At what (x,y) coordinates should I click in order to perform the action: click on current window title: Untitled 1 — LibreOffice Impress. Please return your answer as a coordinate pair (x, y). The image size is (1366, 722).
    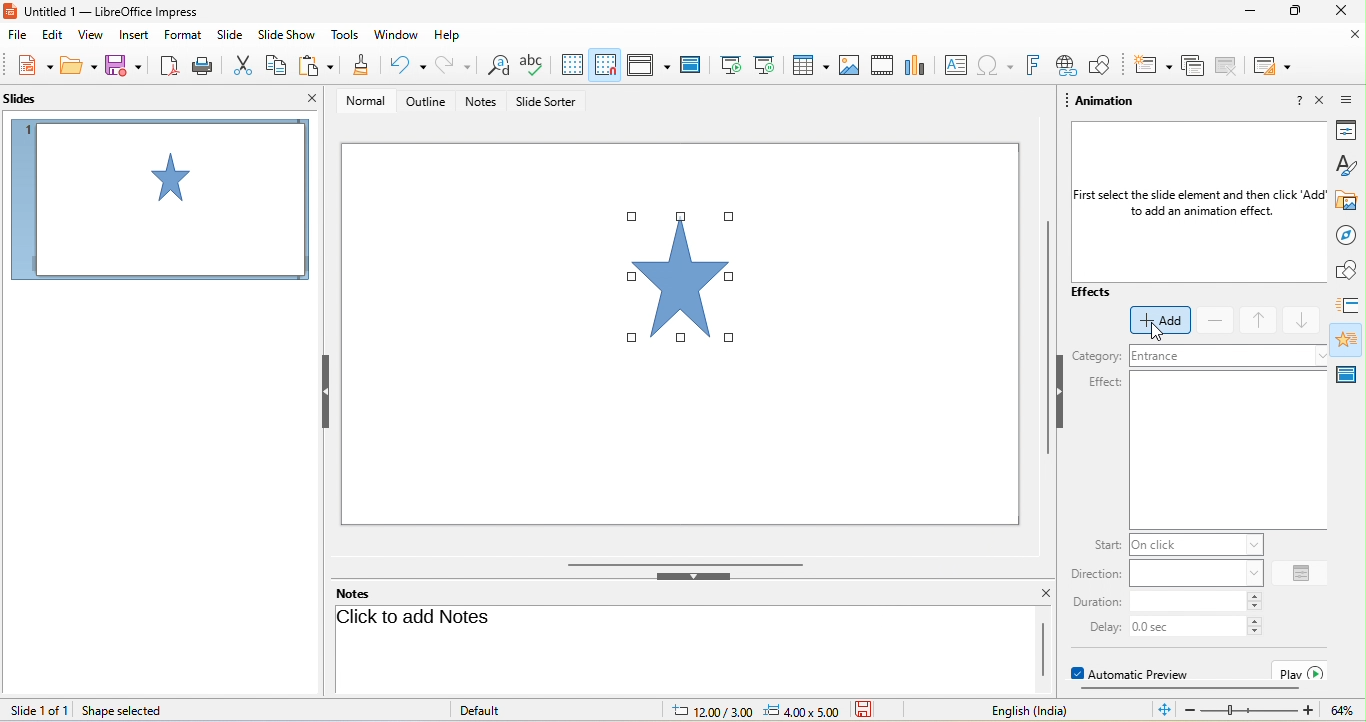
    Looking at the image, I should click on (102, 11).